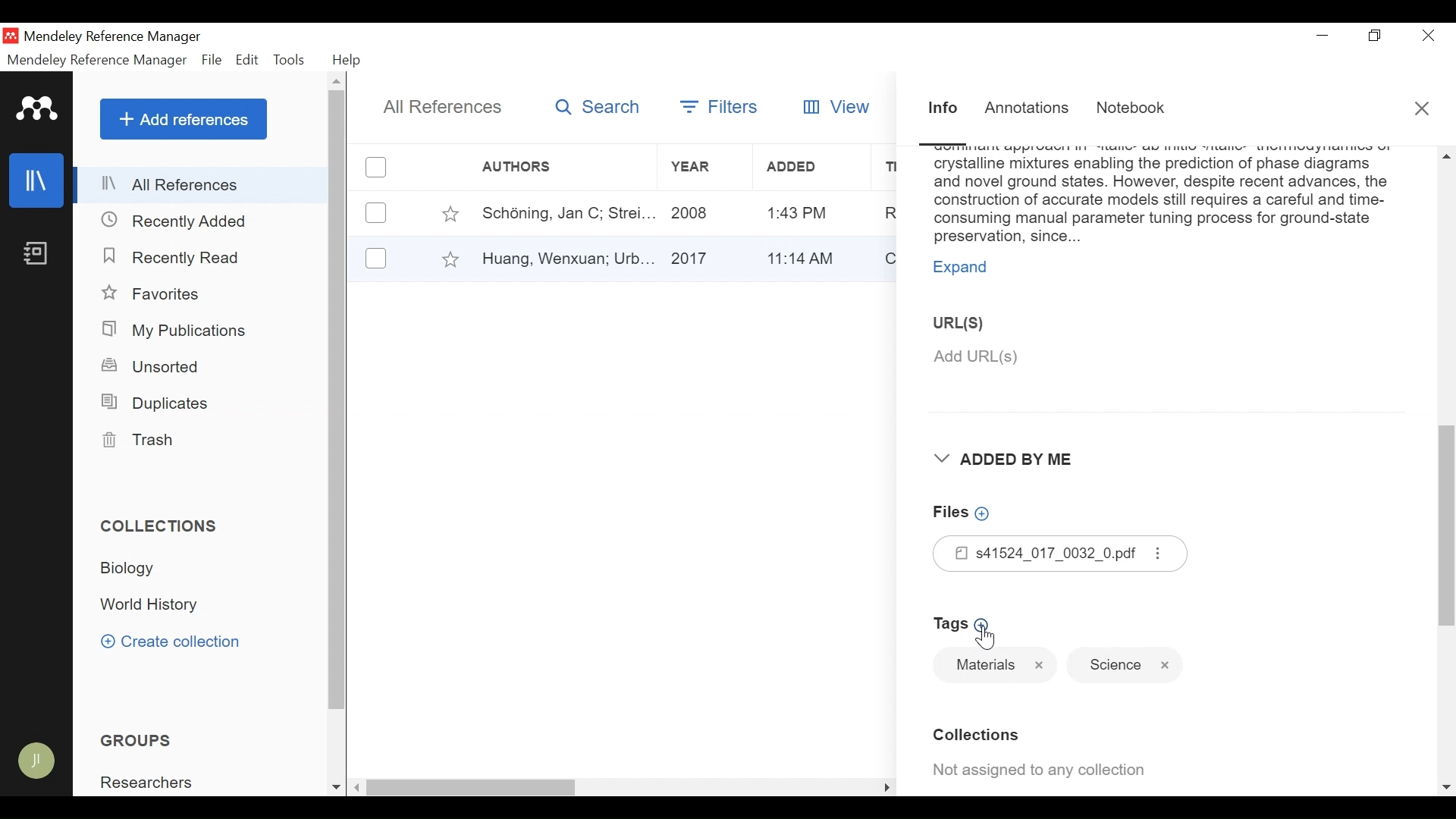 The width and height of the screenshot is (1456, 819). What do you see at coordinates (562, 212) in the screenshot?
I see `Author` at bounding box center [562, 212].